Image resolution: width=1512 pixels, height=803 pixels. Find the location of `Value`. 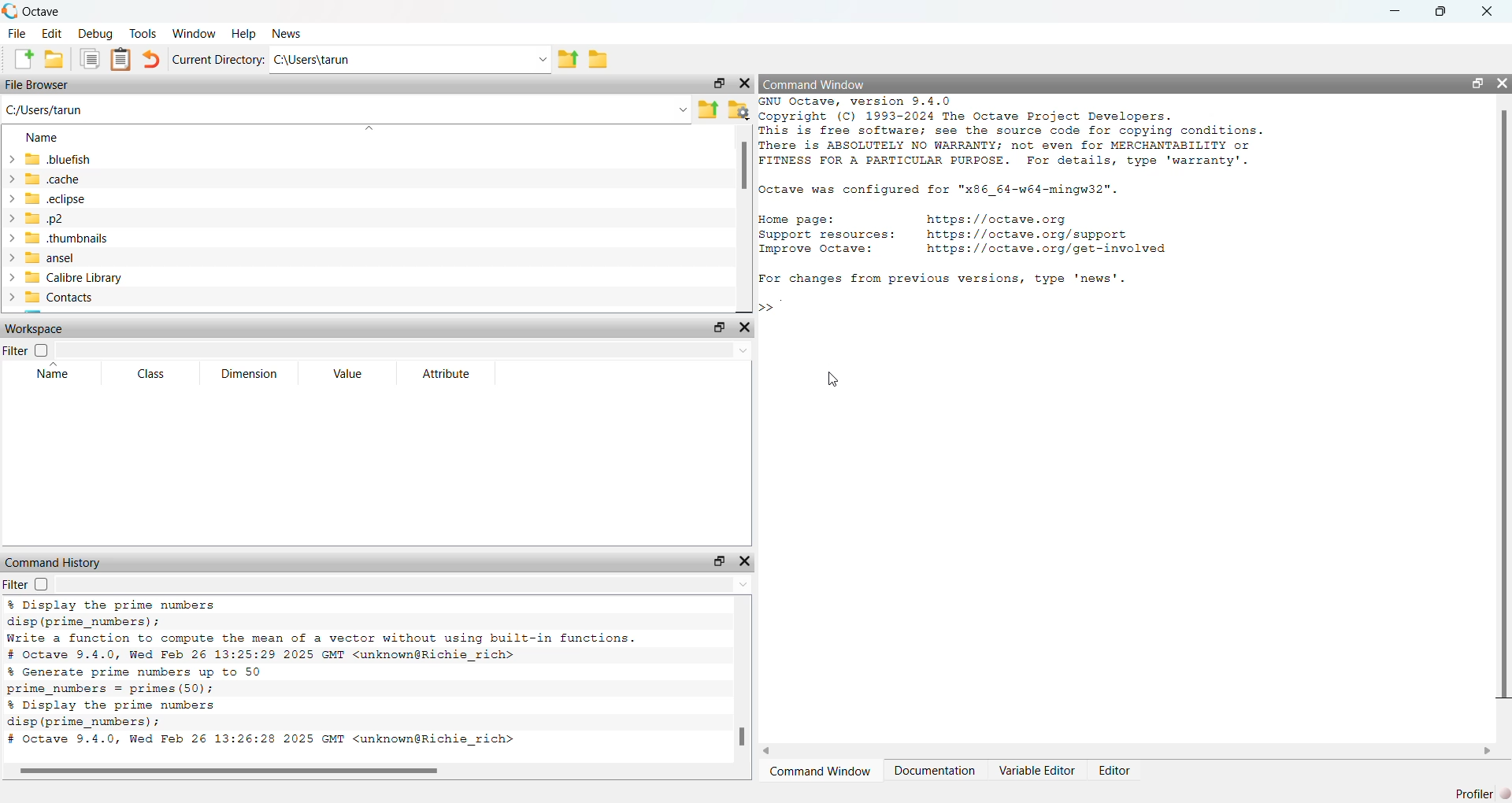

Value is located at coordinates (350, 372).